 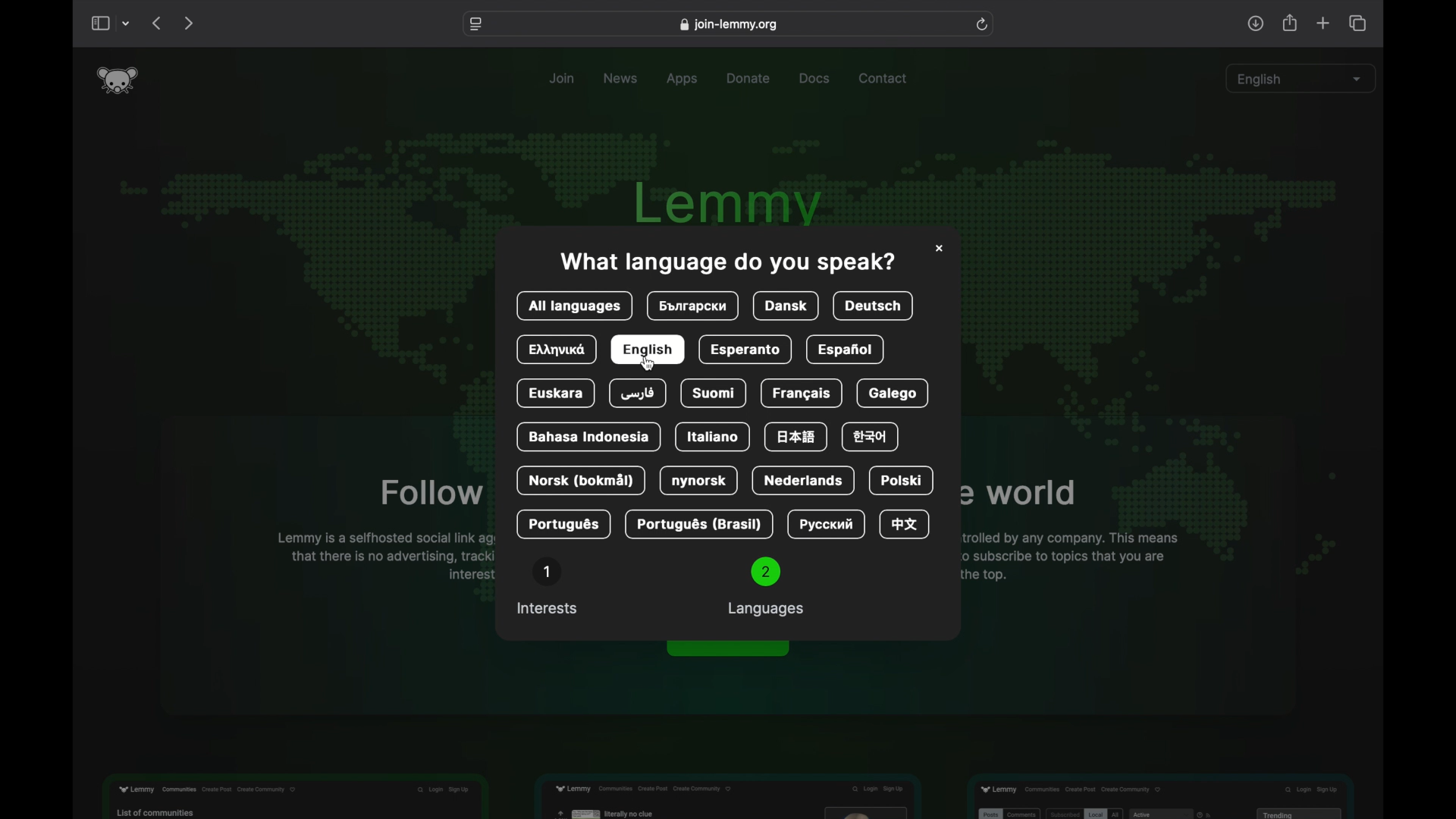 What do you see at coordinates (804, 480) in the screenshot?
I see `nederlands` at bounding box center [804, 480].